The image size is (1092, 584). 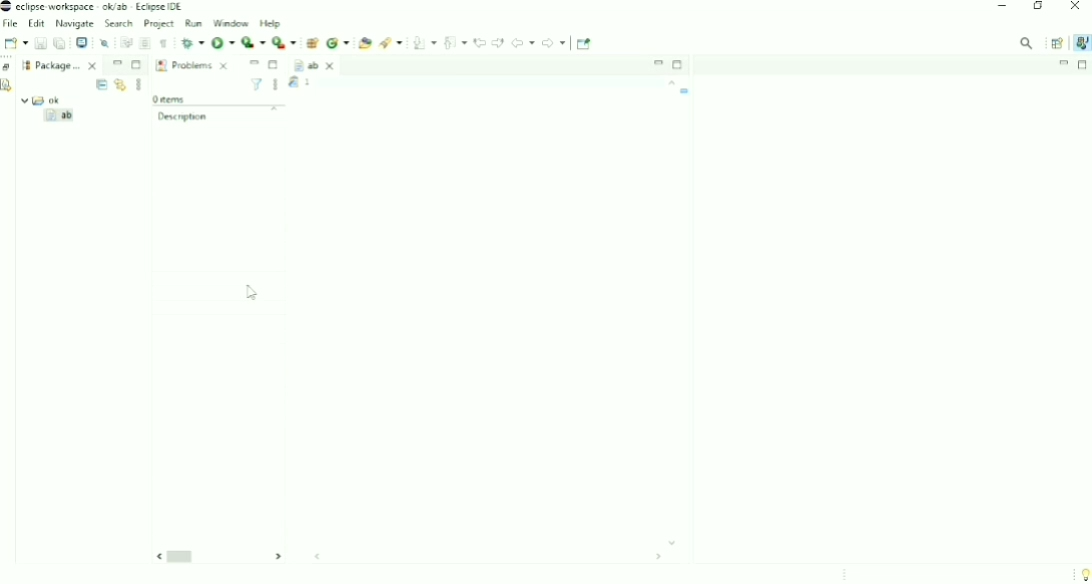 What do you see at coordinates (191, 23) in the screenshot?
I see `Run` at bounding box center [191, 23].